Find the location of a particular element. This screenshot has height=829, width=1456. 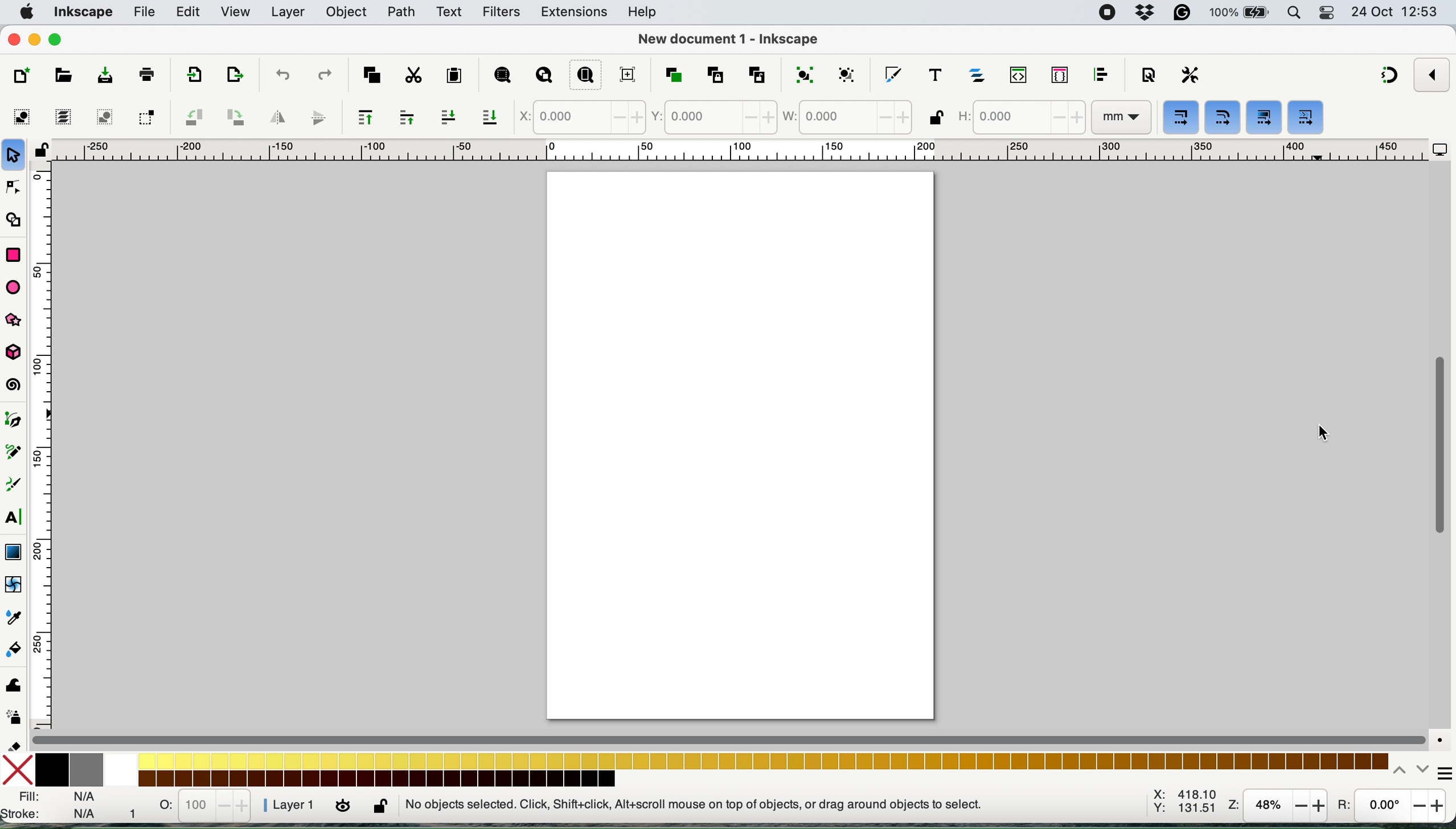

align and distribute is located at coordinates (1101, 75).